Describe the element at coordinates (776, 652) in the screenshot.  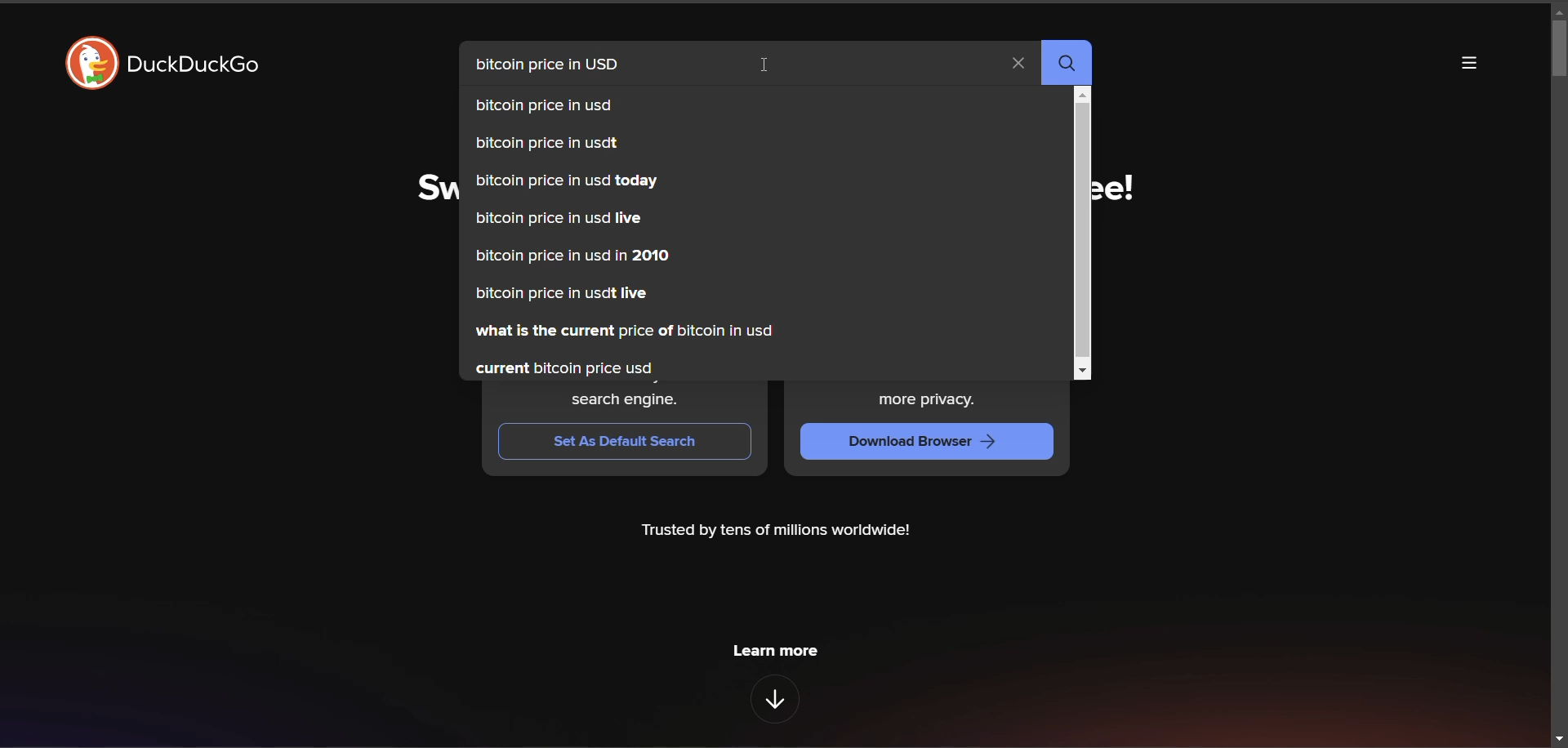
I see `learn more` at that location.